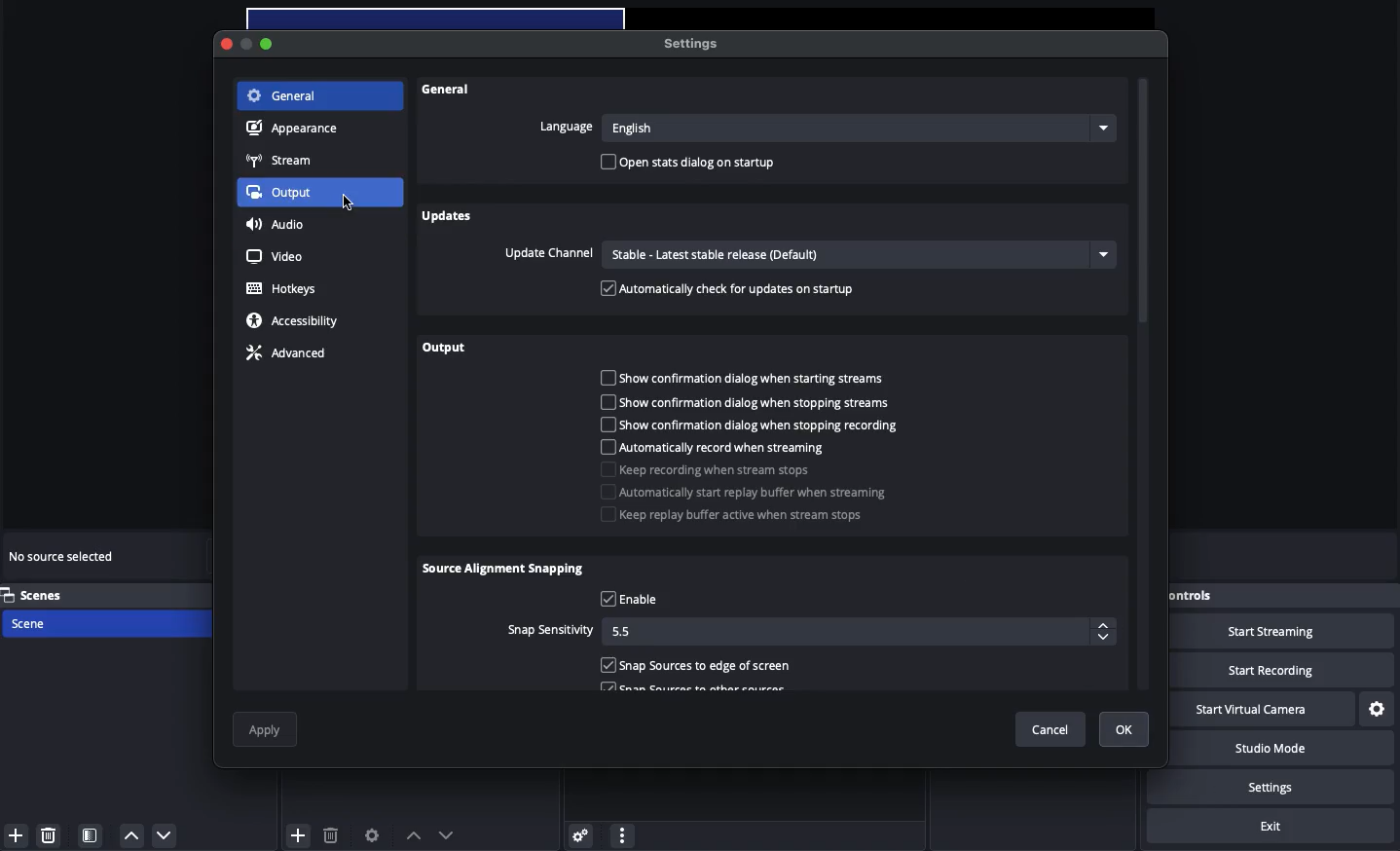 Image resolution: width=1400 pixels, height=851 pixels. I want to click on Apply, so click(267, 729).